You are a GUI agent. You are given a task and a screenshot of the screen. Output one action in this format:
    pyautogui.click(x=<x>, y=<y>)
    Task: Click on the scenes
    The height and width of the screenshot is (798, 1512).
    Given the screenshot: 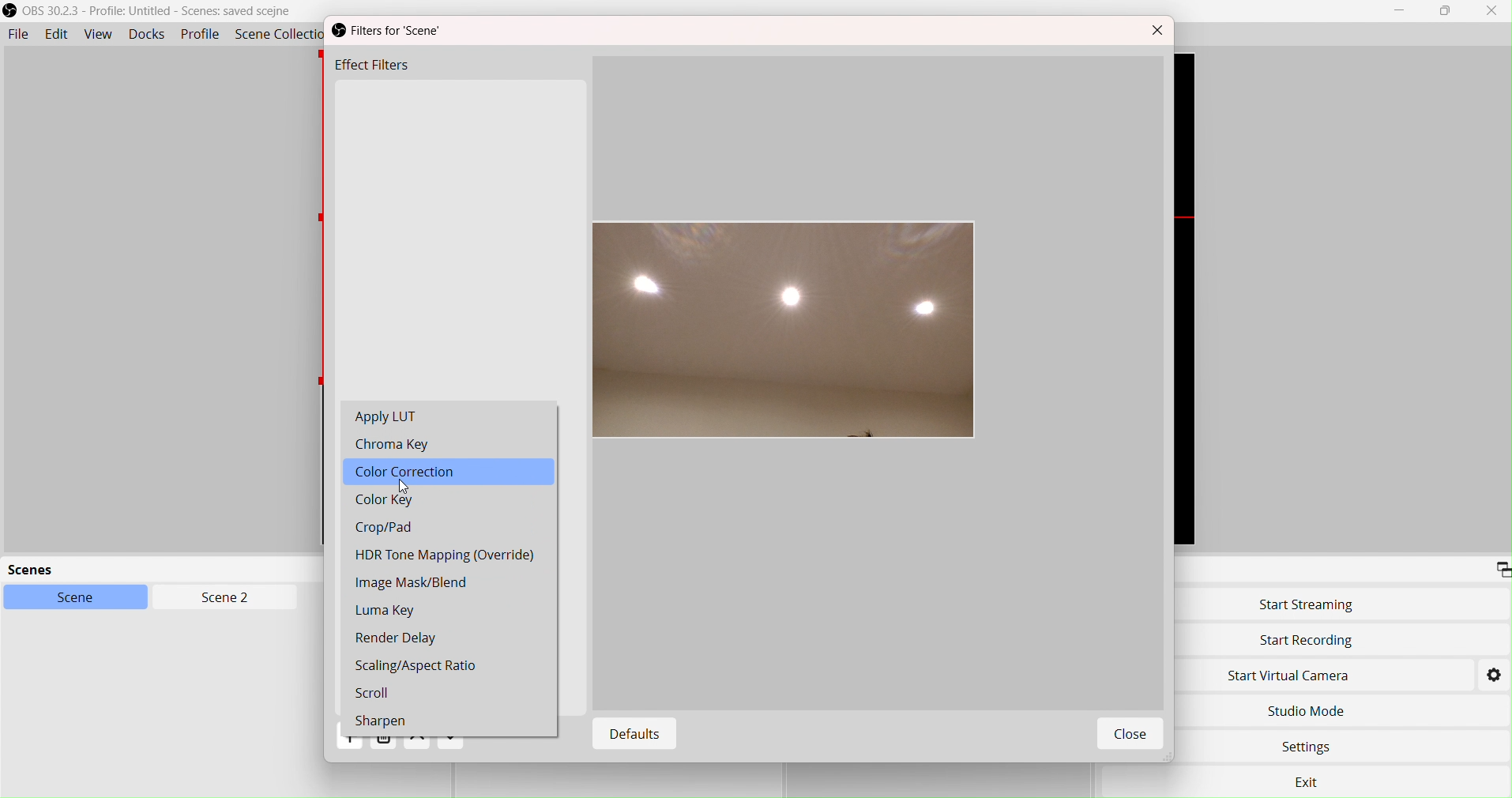 What is the action you would take?
    pyautogui.click(x=126, y=570)
    